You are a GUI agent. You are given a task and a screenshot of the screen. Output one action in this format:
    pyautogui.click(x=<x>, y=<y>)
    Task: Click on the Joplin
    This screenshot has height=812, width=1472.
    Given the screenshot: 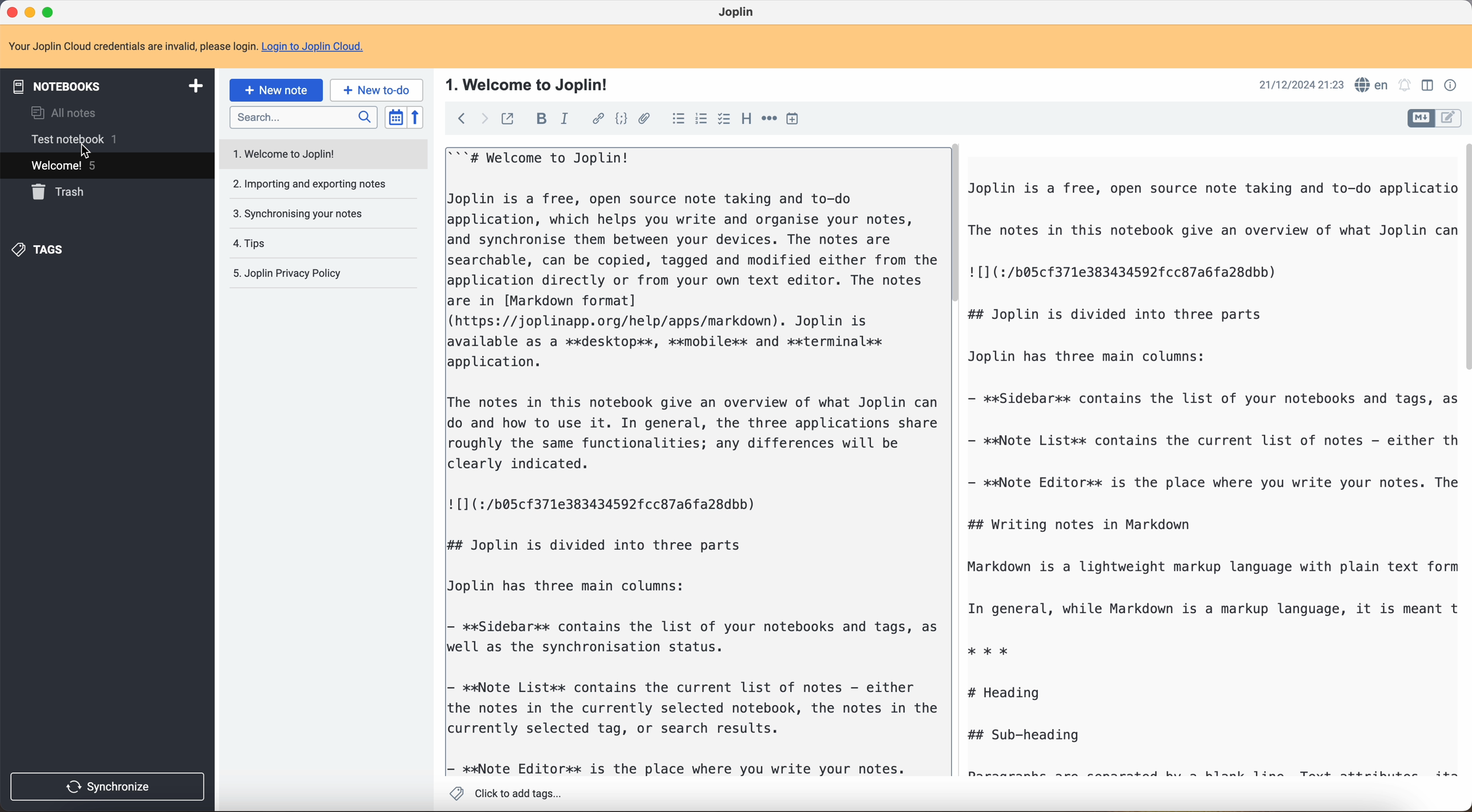 What is the action you would take?
    pyautogui.click(x=739, y=11)
    